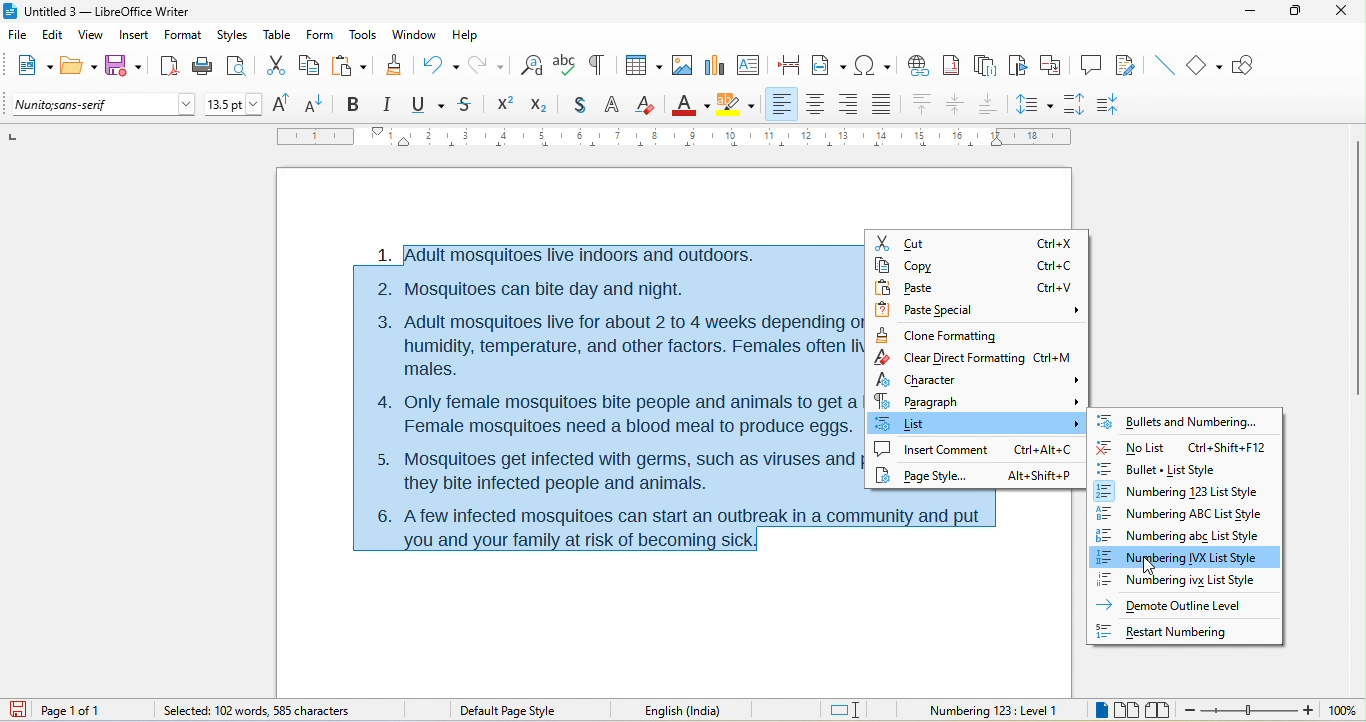  What do you see at coordinates (1099, 711) in the screenshot?
I see `single page view` at bounding box center [1099, 711].